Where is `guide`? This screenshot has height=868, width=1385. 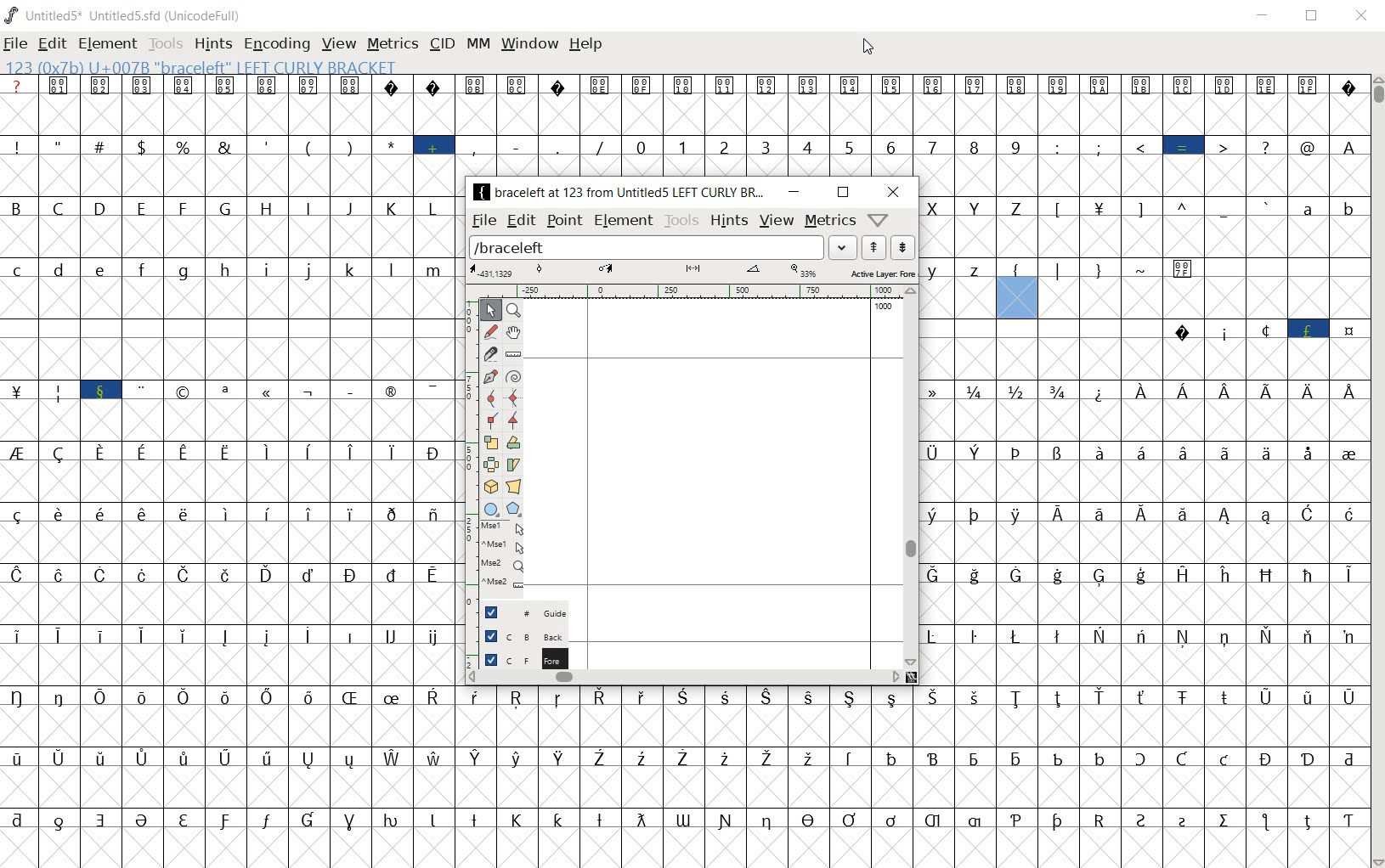 guide is located at coordinates (518, 614).